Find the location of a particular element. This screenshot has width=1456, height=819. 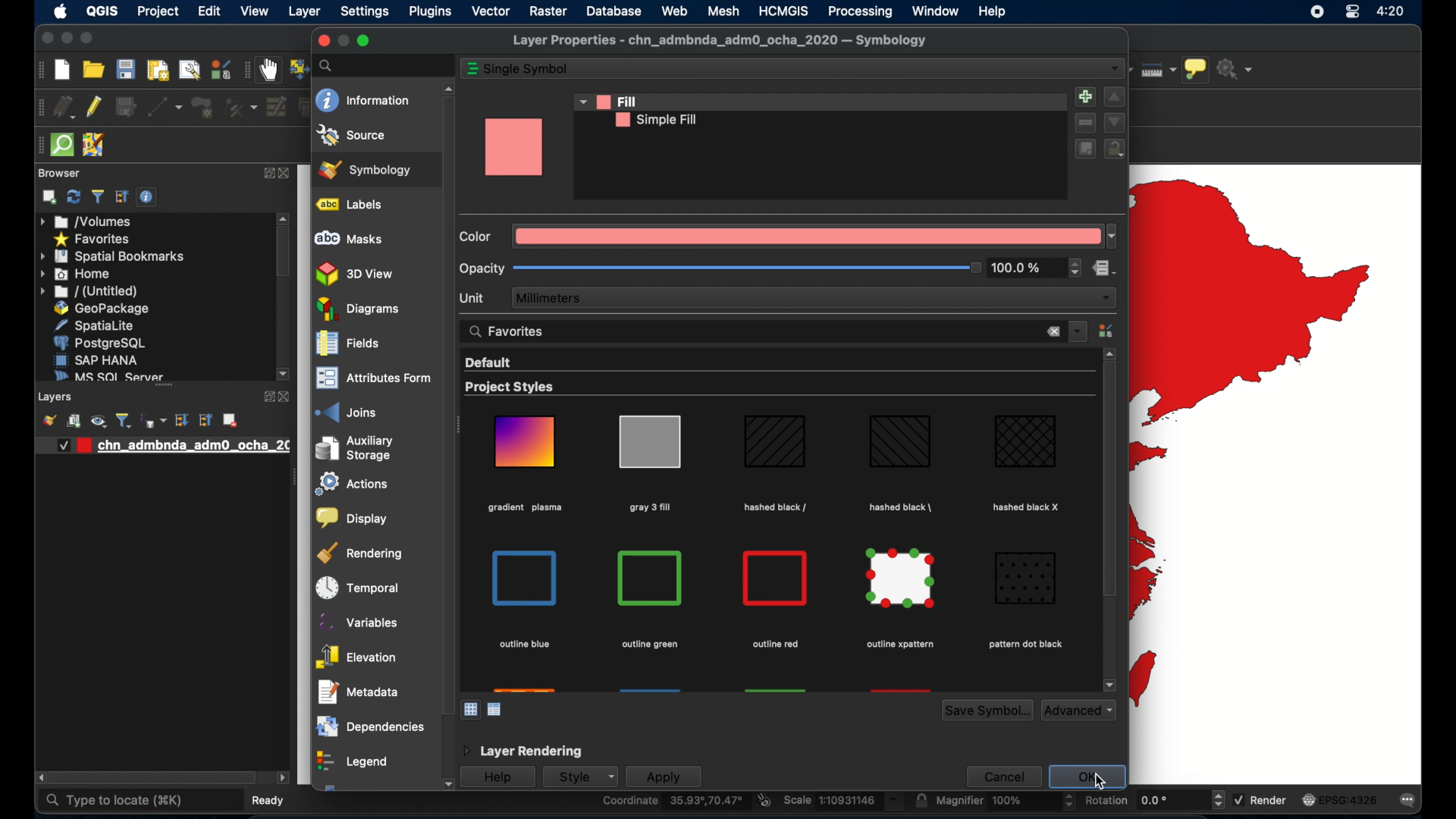

scroll down arrow is located at coordinates (284, 375).